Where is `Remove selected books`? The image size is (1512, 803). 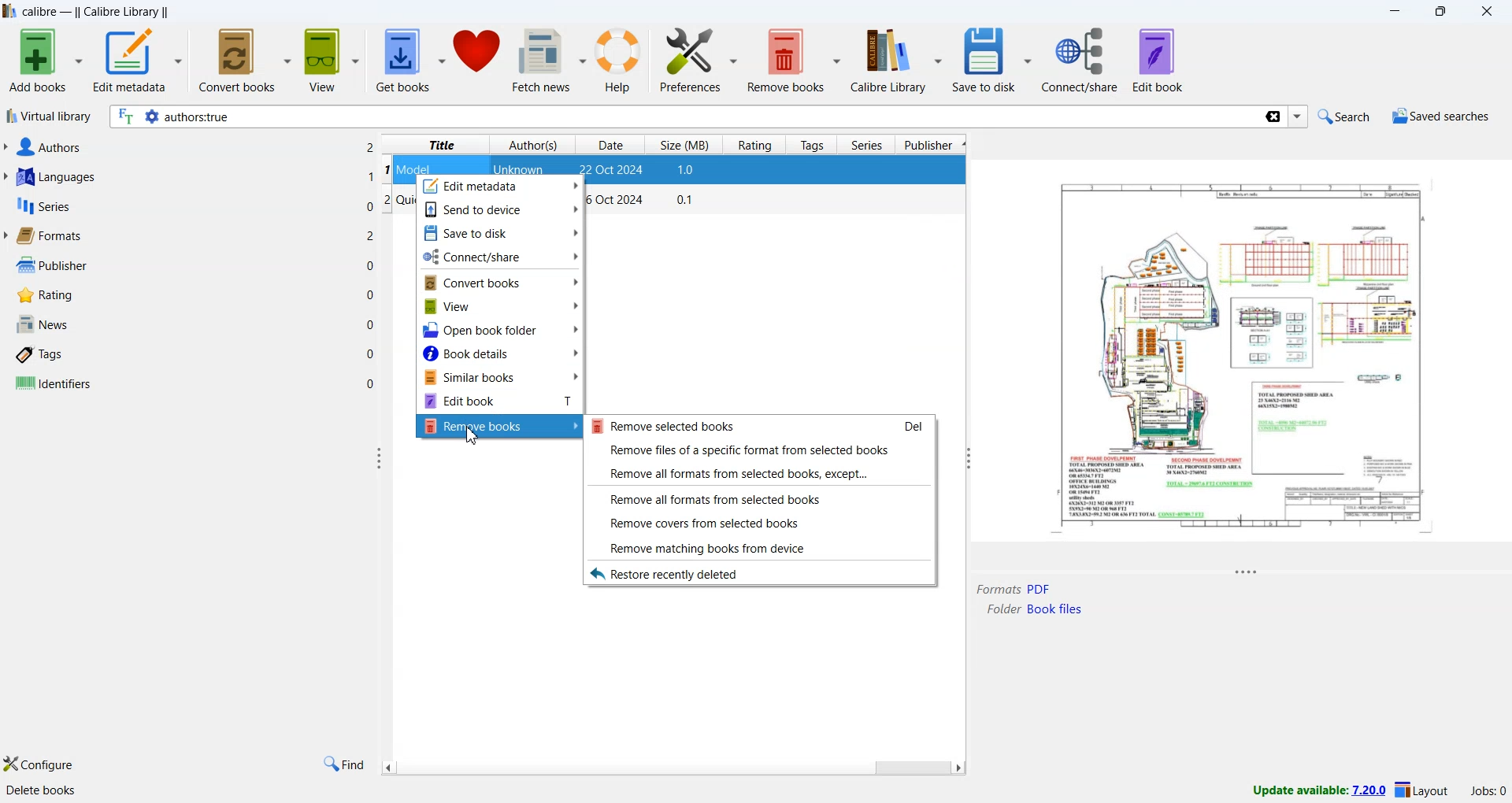 Remove selected books is located at coordinates (758, 427).